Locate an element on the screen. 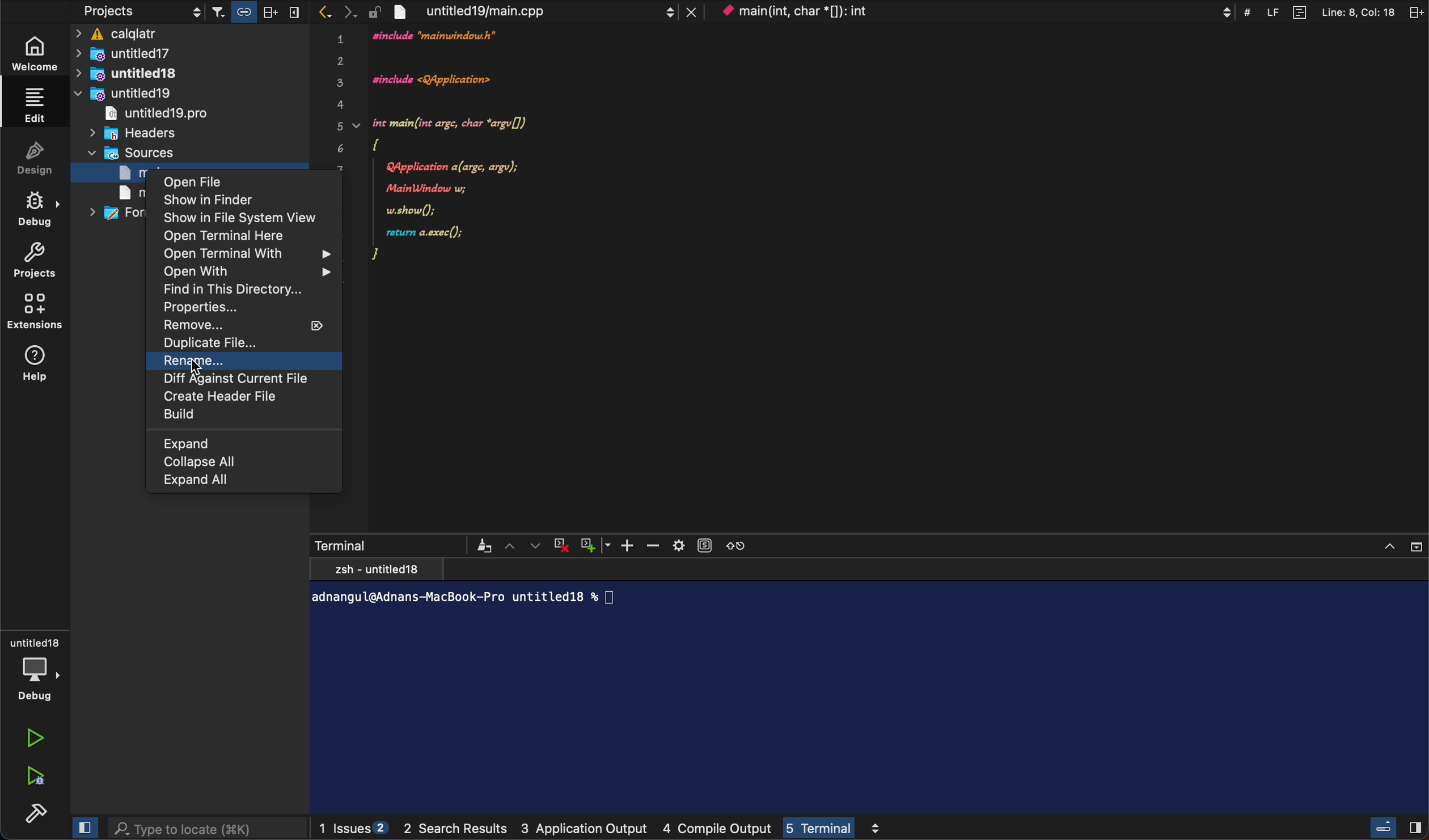 This screenshot has height=840, width=1429. untitlewd18 is located at coordinates (134, 74).